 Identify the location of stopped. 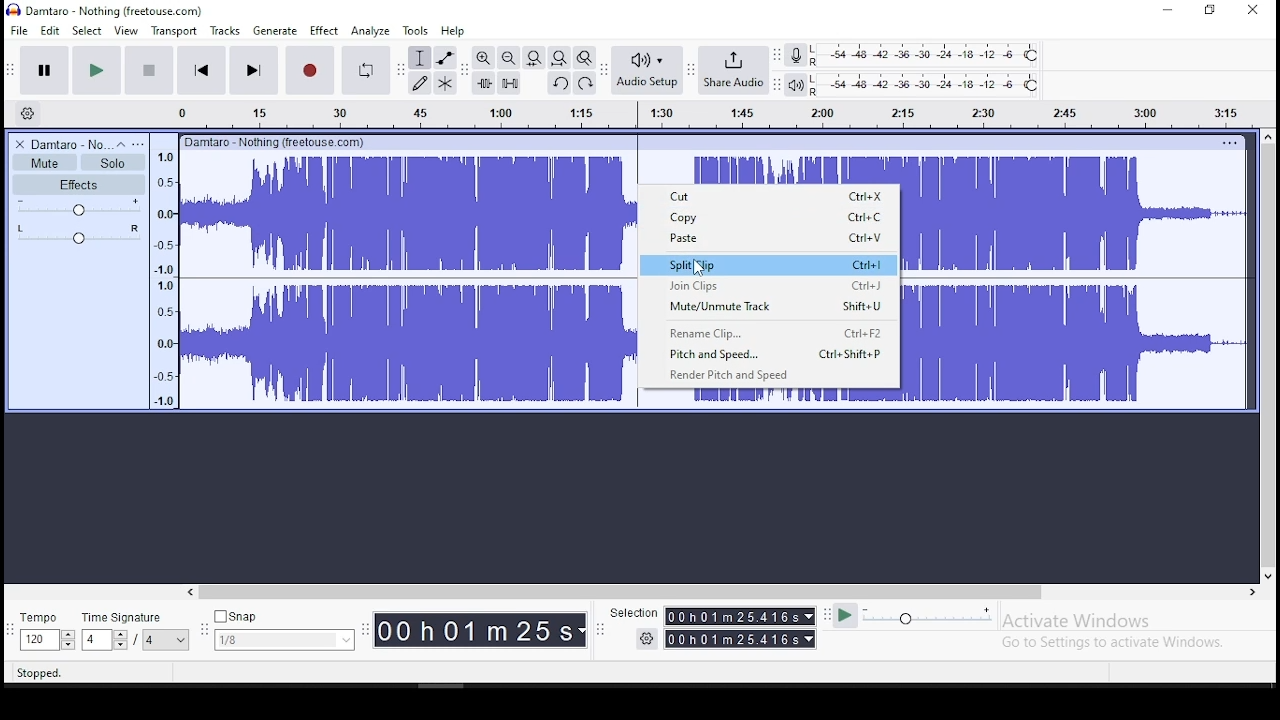
(35, 673).